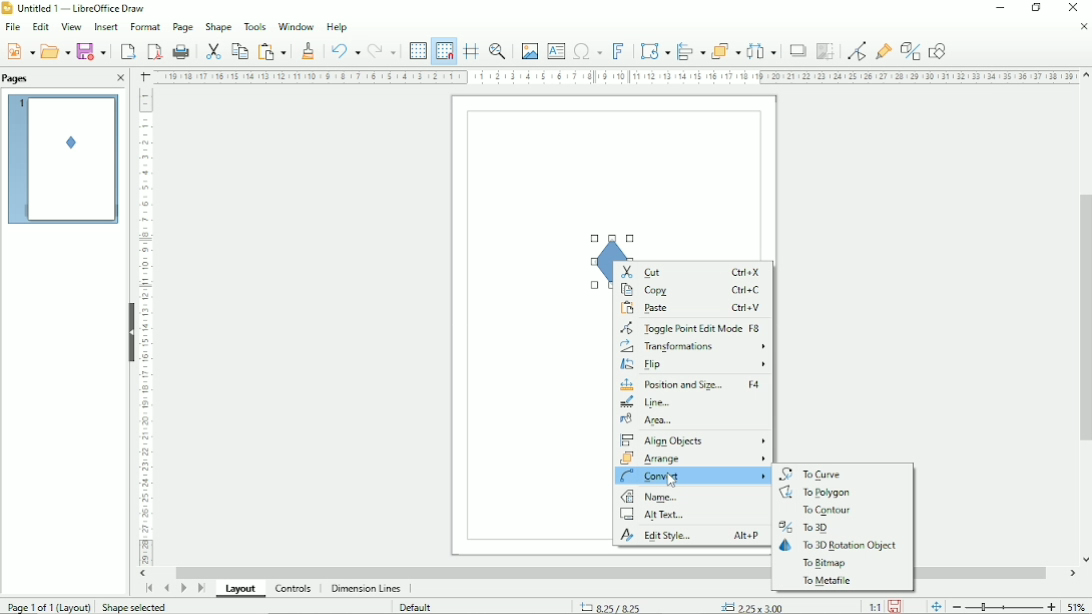 This screenshot has height=614, width=1092. What do you see at coordinates (674, 481) in the screenshot?
I see `Cursor` at bounding box center [674, 481].